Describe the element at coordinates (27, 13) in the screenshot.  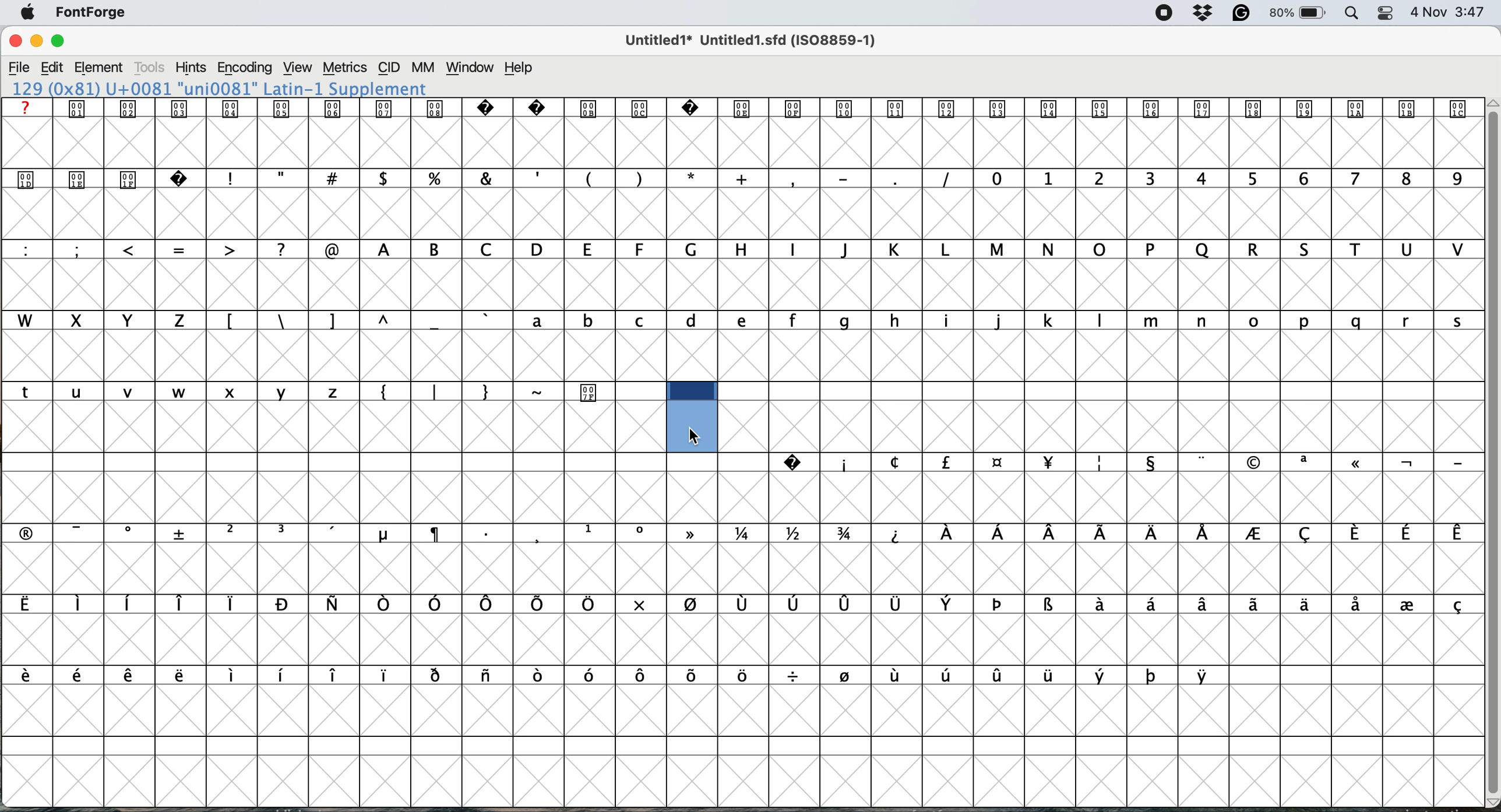
I see `Apple menu` at that location.